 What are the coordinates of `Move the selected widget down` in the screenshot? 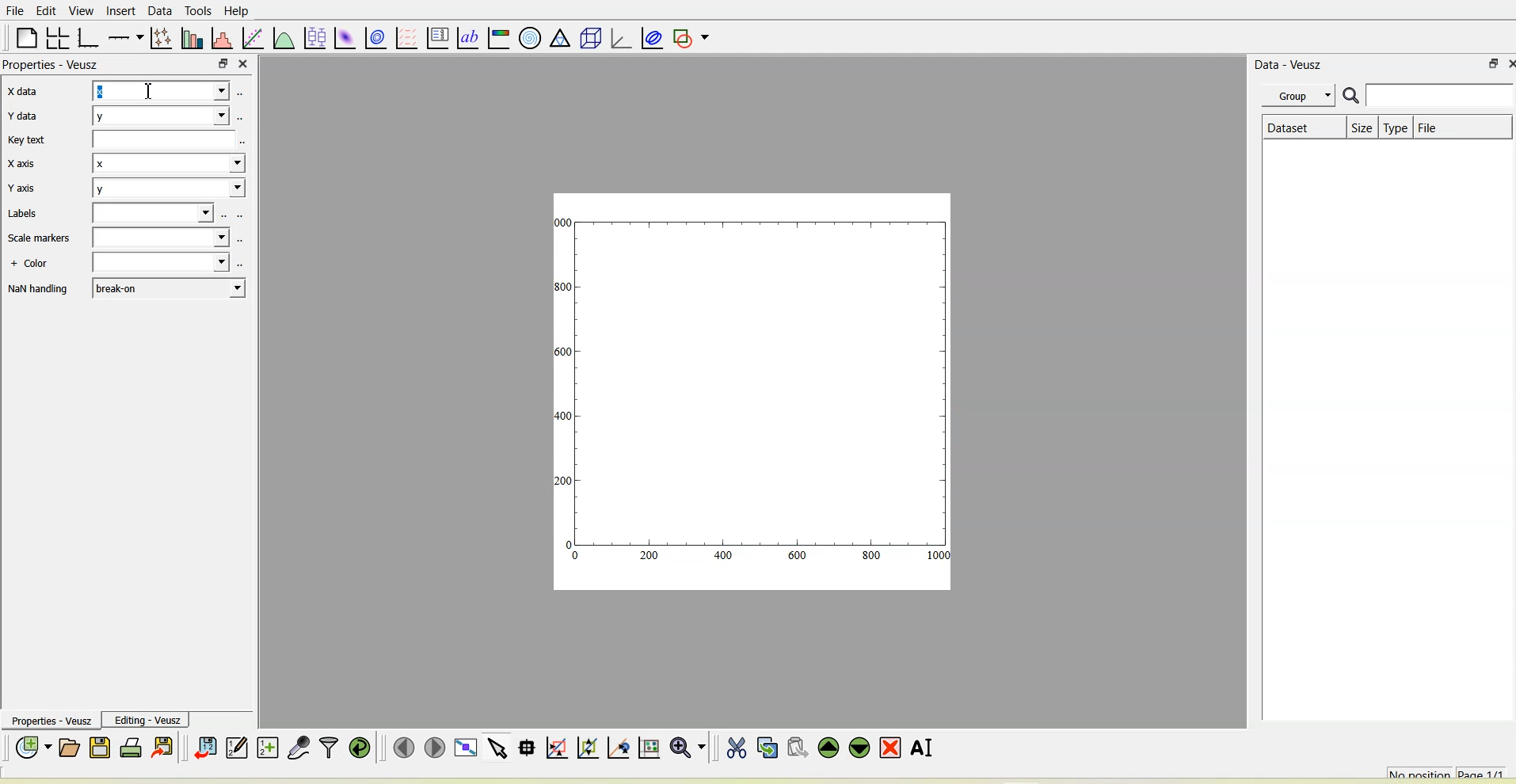 It's located at (859, 748).